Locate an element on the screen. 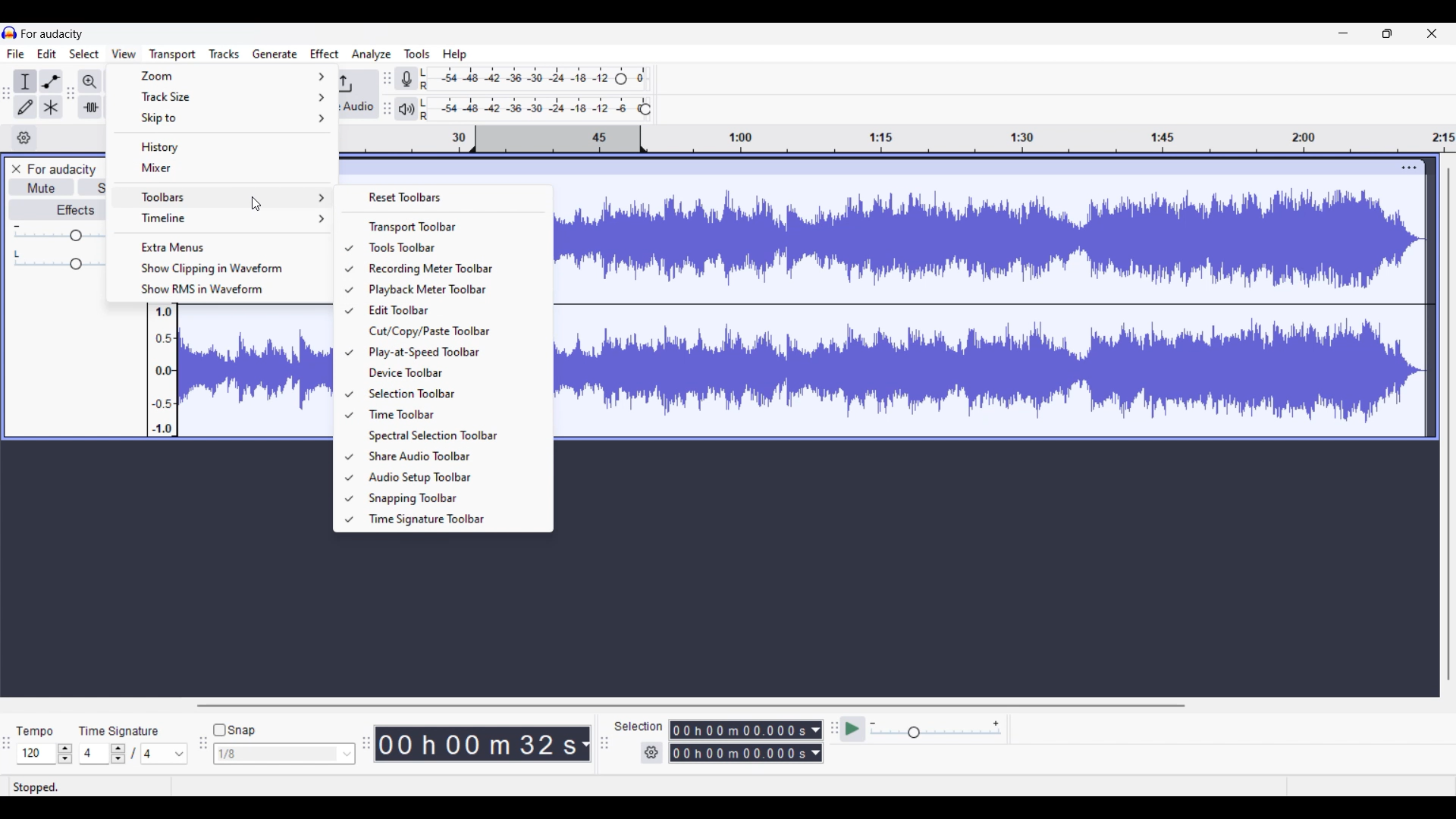 This screenshot has width=1456, height=819. Vertical slide bar is located at coordinates (1449, 425).